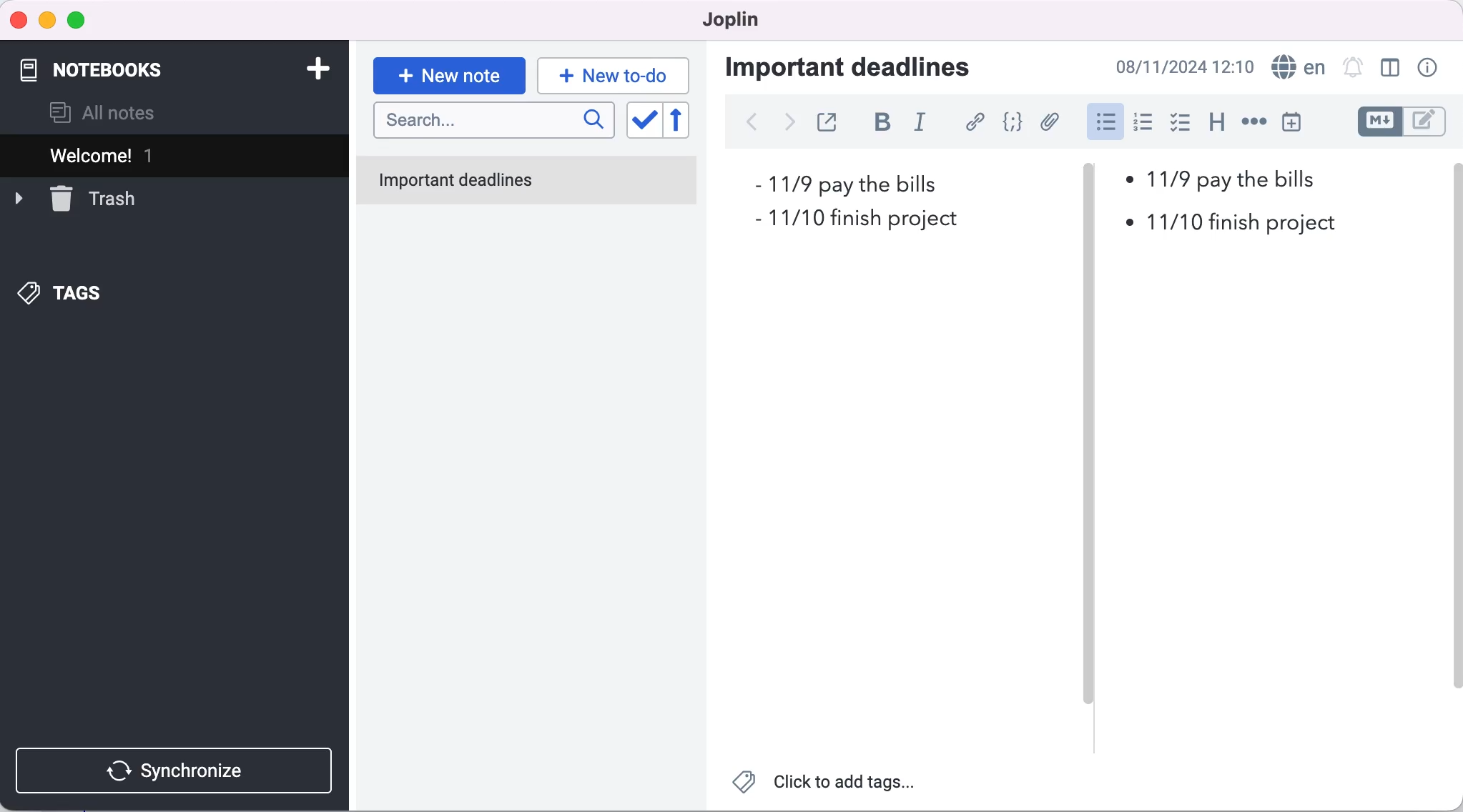  I want to click on important deadlines note, so click(529, 182).